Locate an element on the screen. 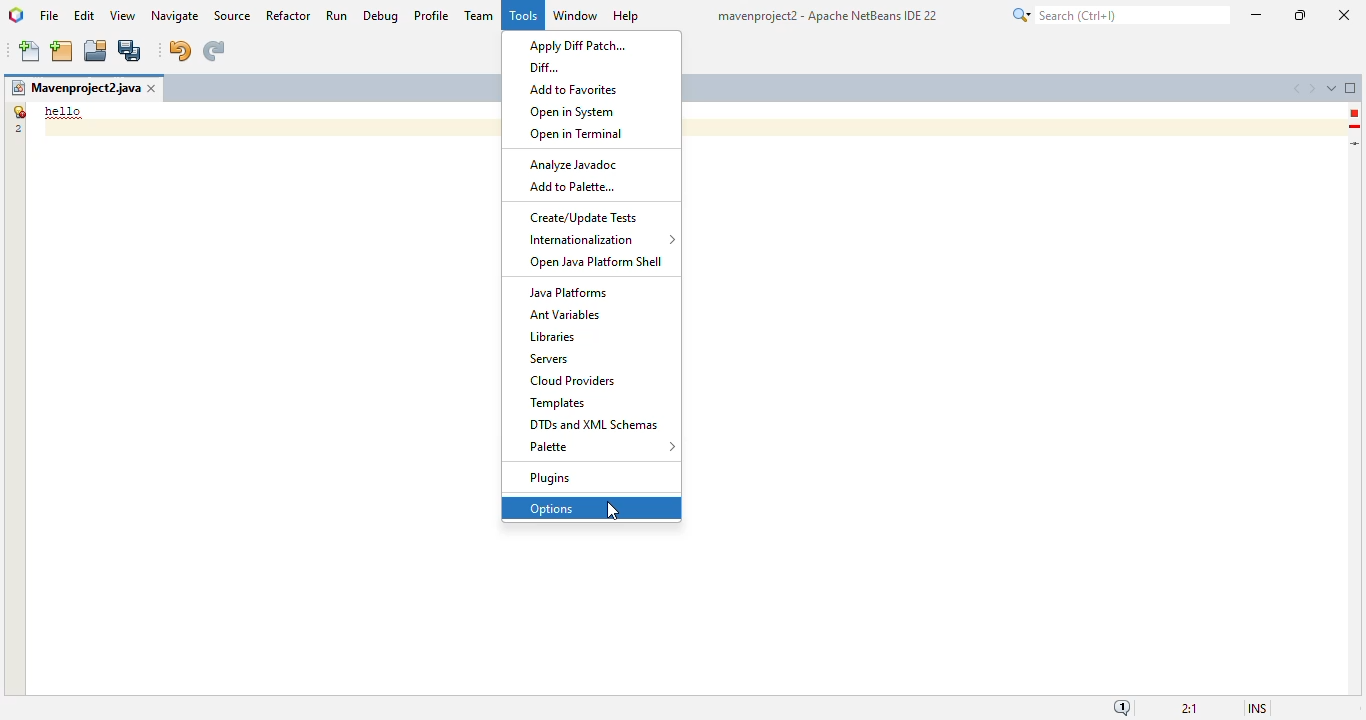  internationalization is located at coordinates (602, 240).